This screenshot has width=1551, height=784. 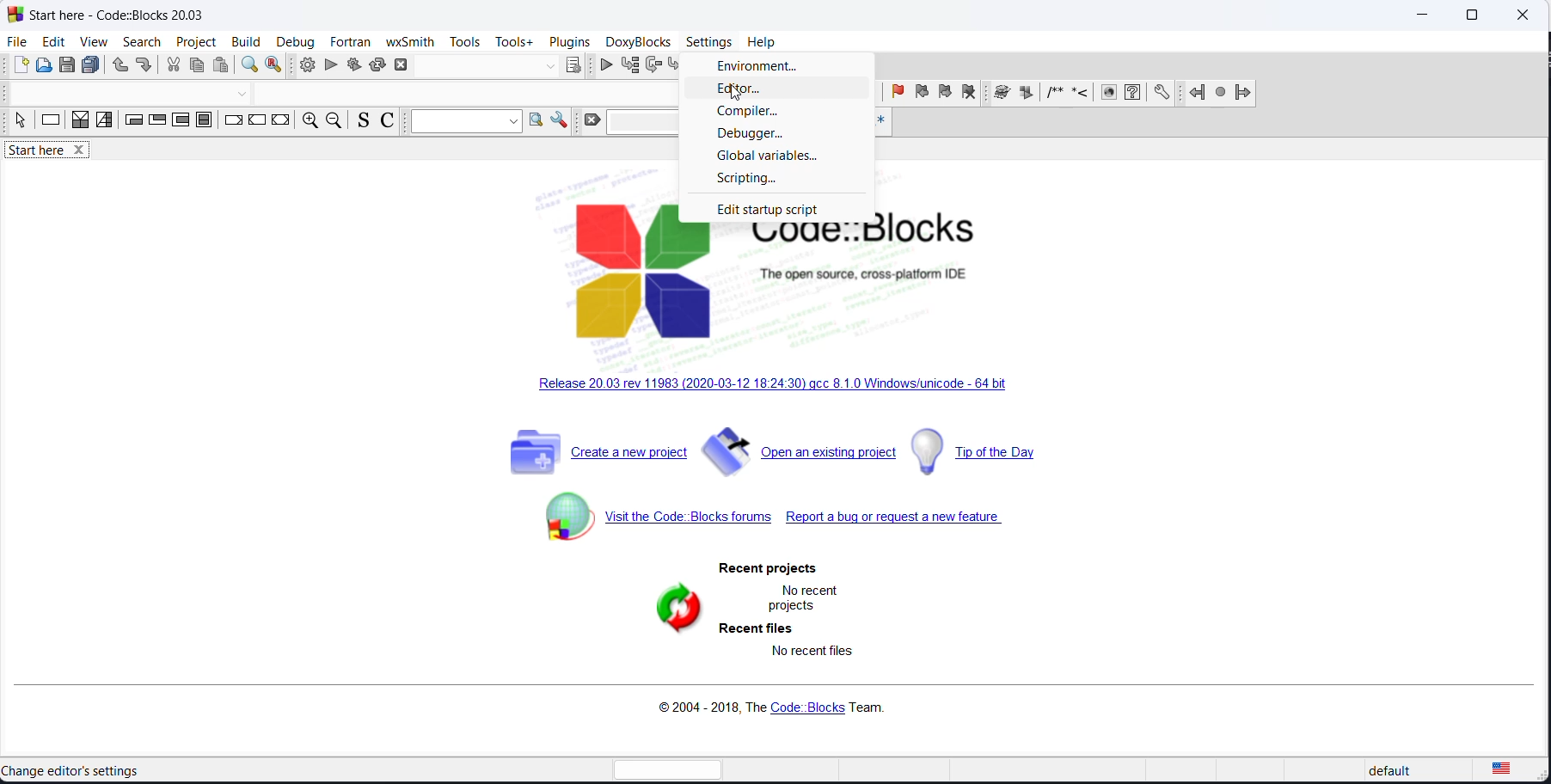 What do you see at coordinates (769, 708) in the screenshot?
I see `copyright` at bounding box center [769, 708].